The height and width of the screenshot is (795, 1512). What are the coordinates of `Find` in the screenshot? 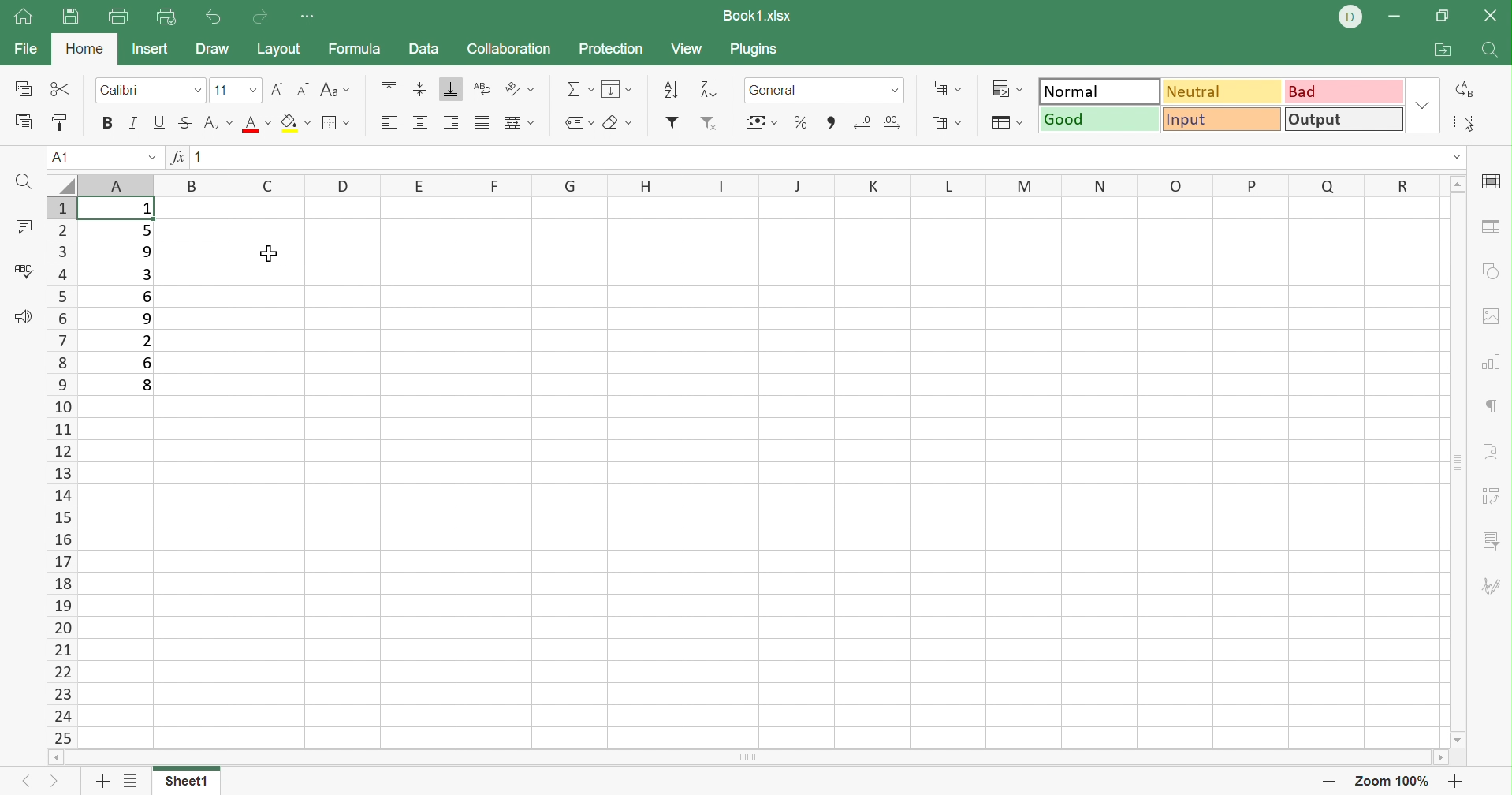 It's located at (27, 184).